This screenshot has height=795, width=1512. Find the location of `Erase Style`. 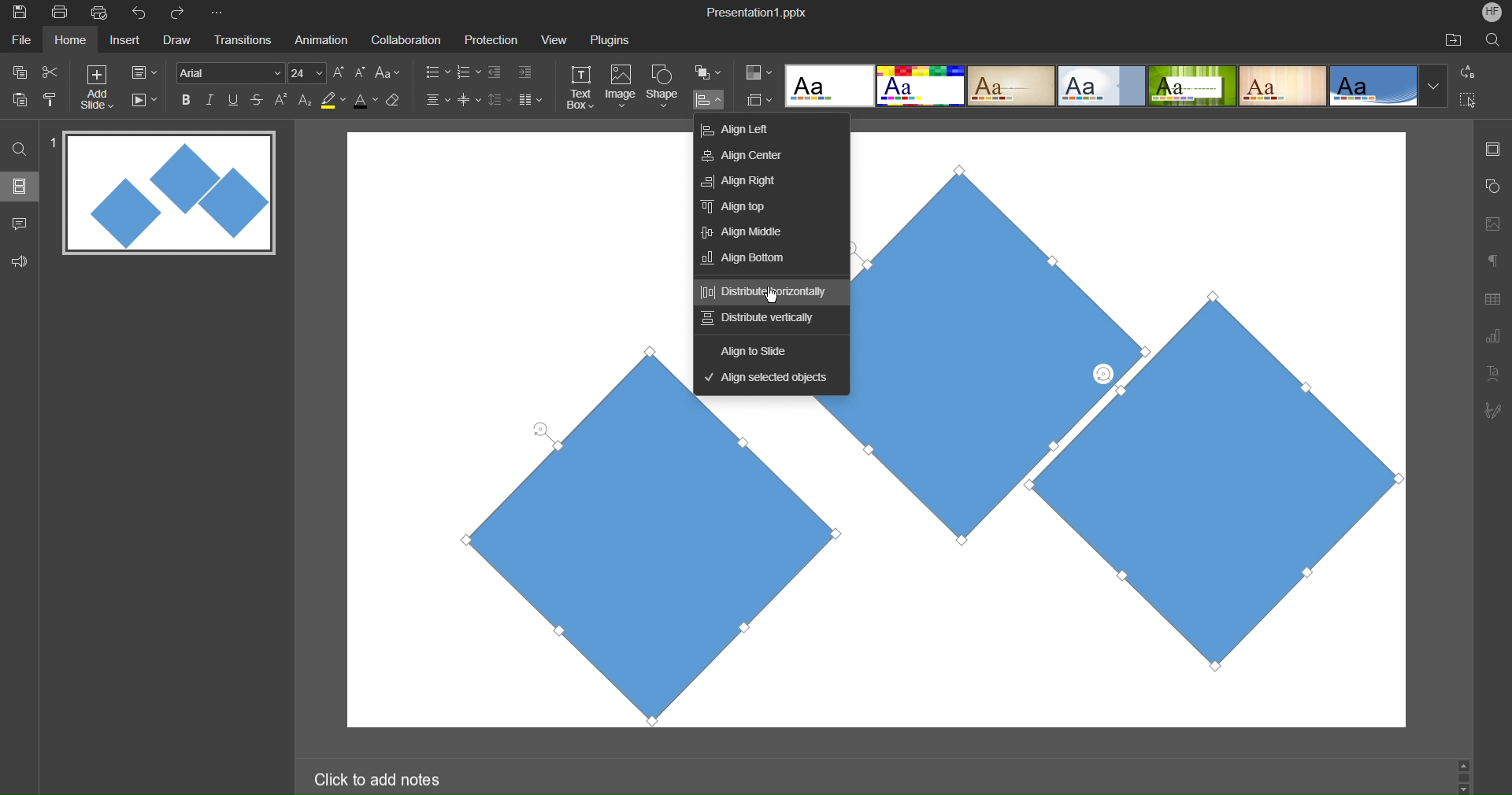

Erase Style is located at coordinates (395, 100).